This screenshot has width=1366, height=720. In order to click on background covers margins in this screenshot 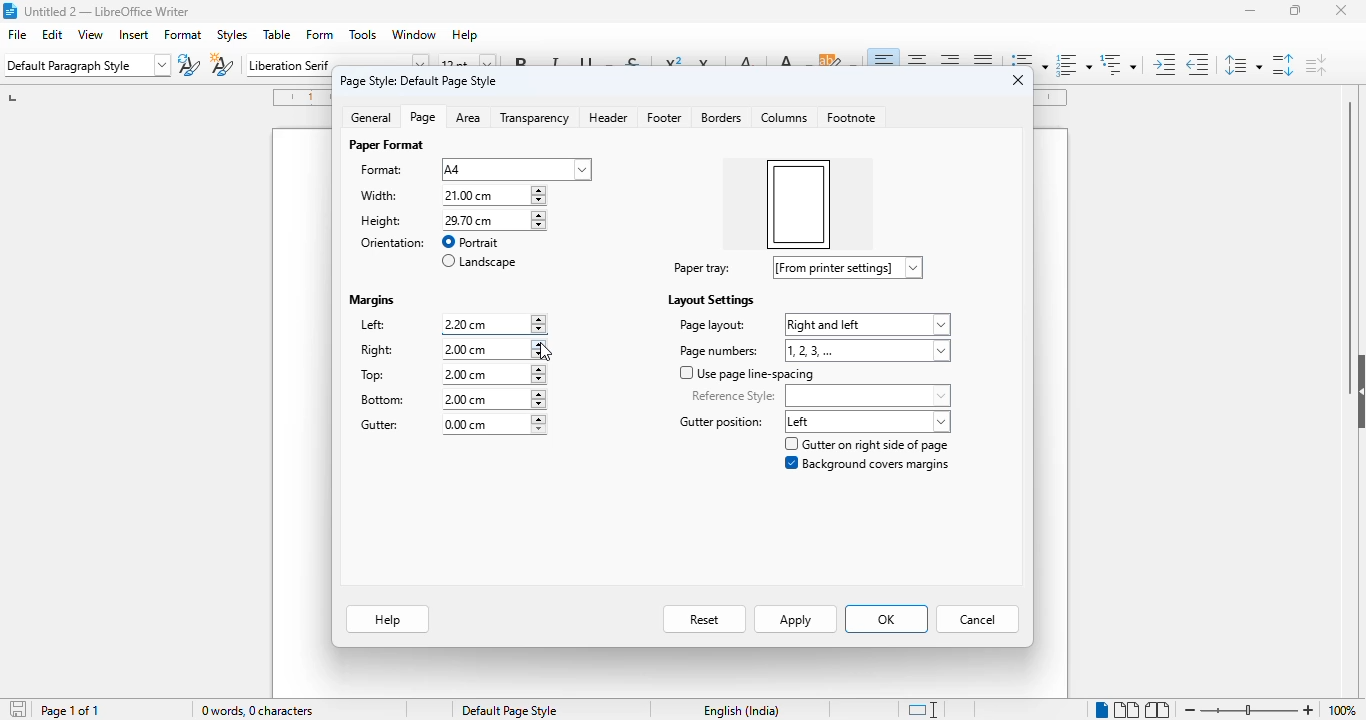, I will do `click(867, 464)`.